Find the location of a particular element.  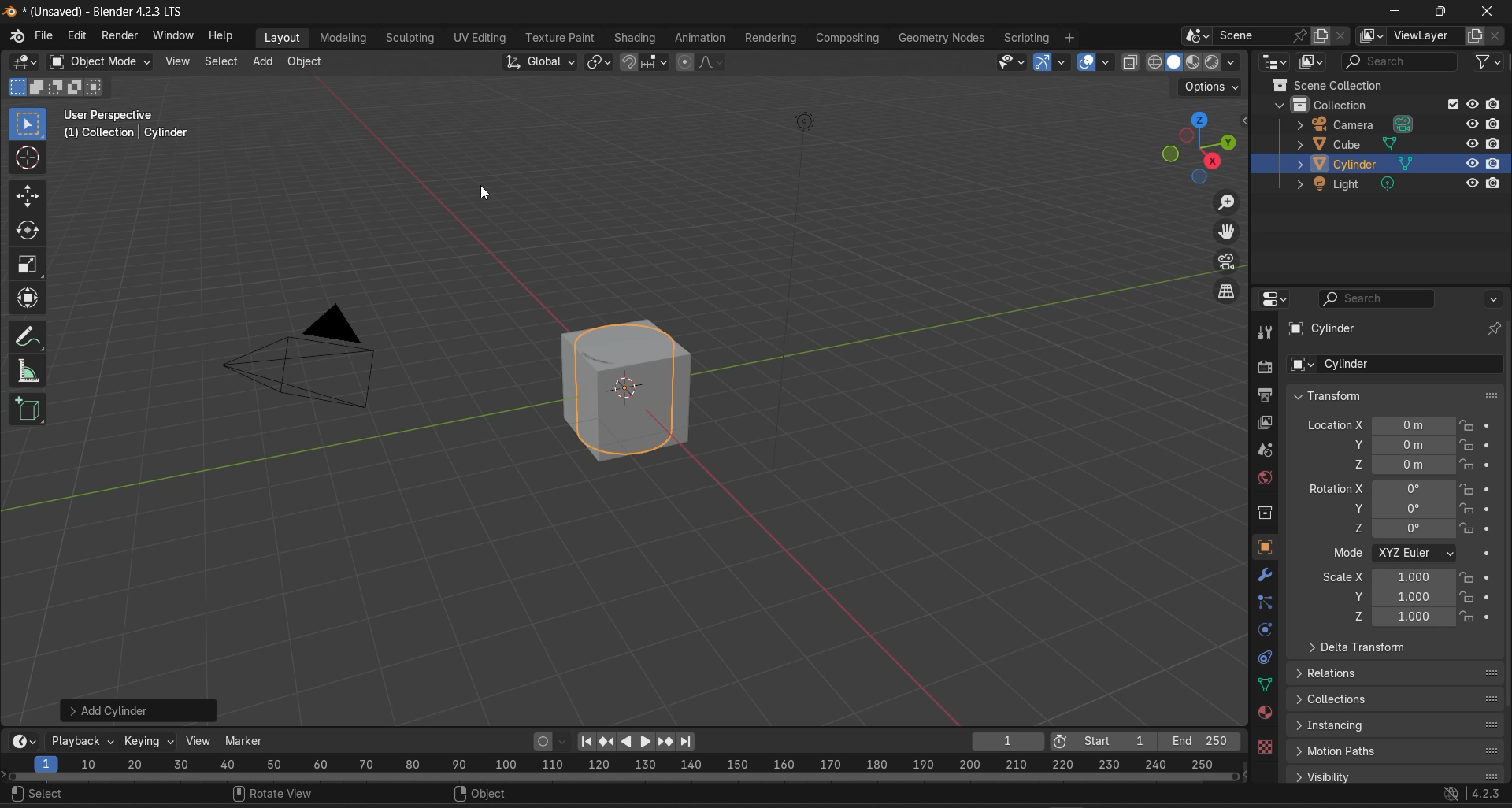

render is located at coordinates (1262, 366).